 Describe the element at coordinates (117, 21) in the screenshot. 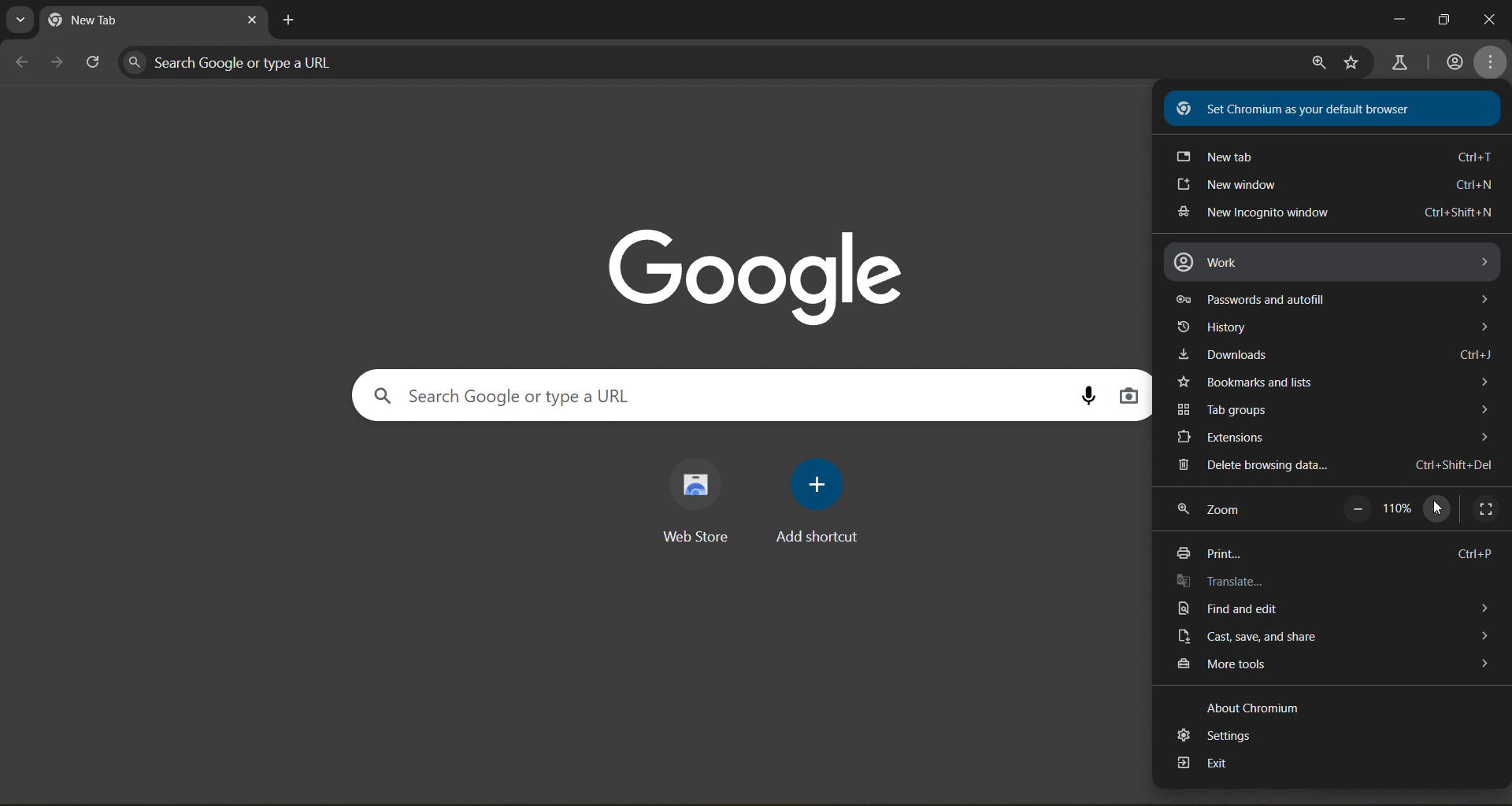

I see `current tab` at that location.